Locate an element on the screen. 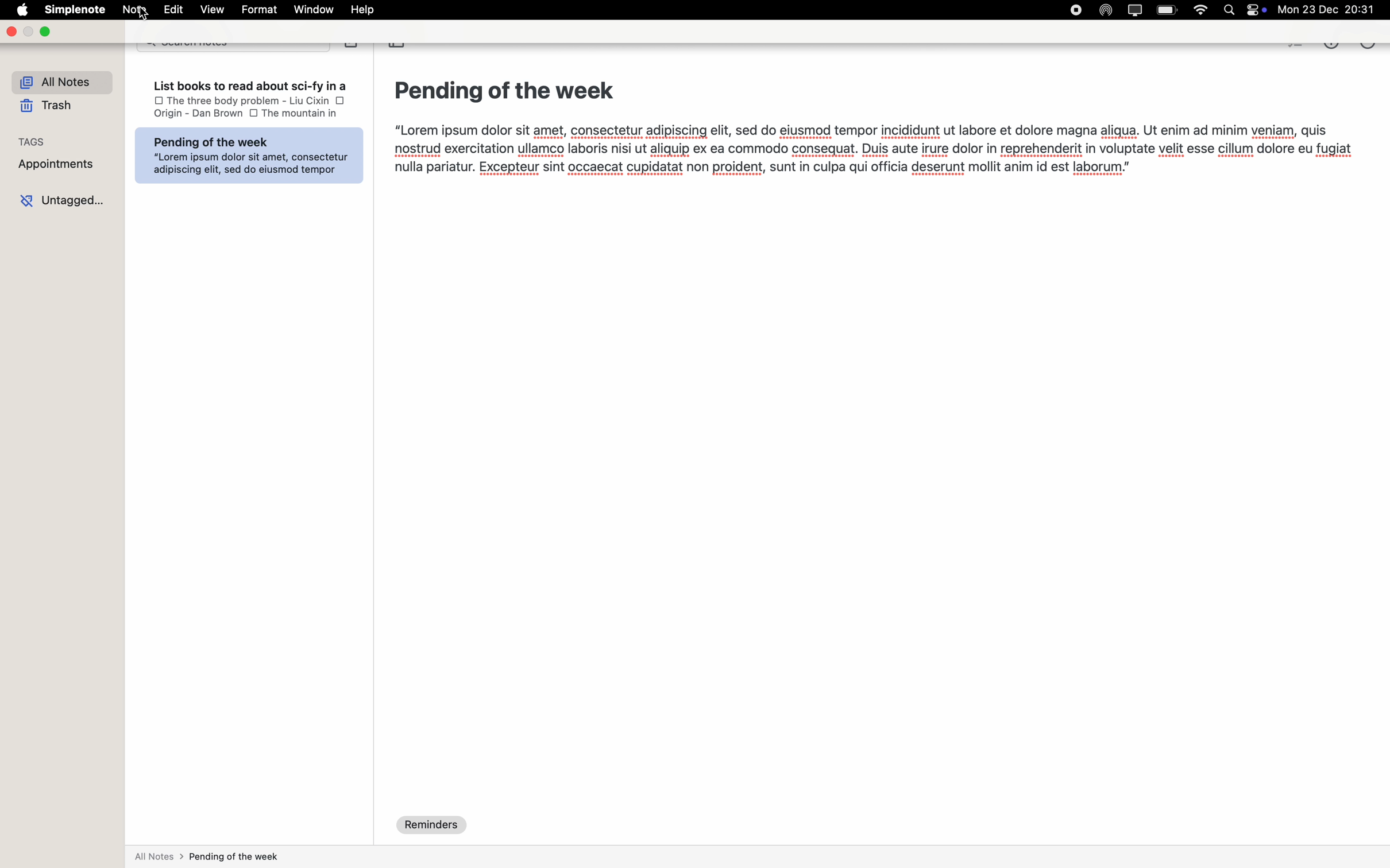  all notes is located at coordinates (61, 82).